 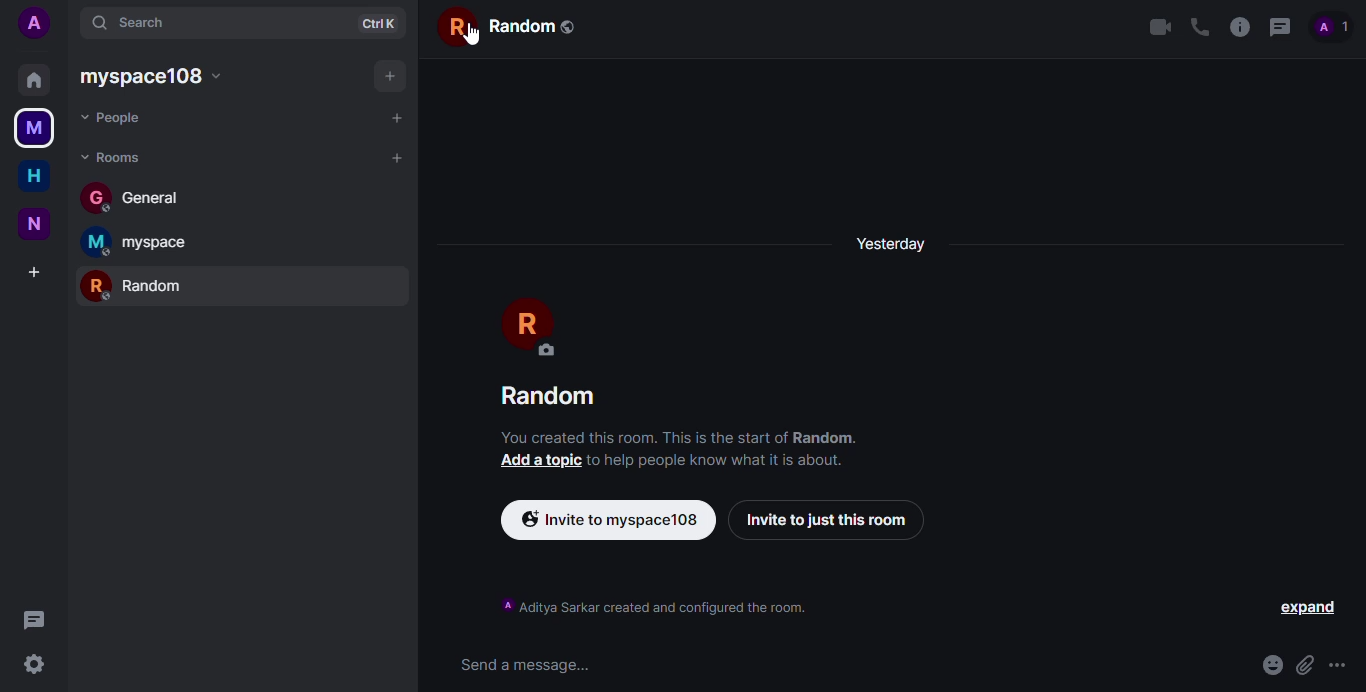 I want to click on video call, so click(x=1159, y=26).